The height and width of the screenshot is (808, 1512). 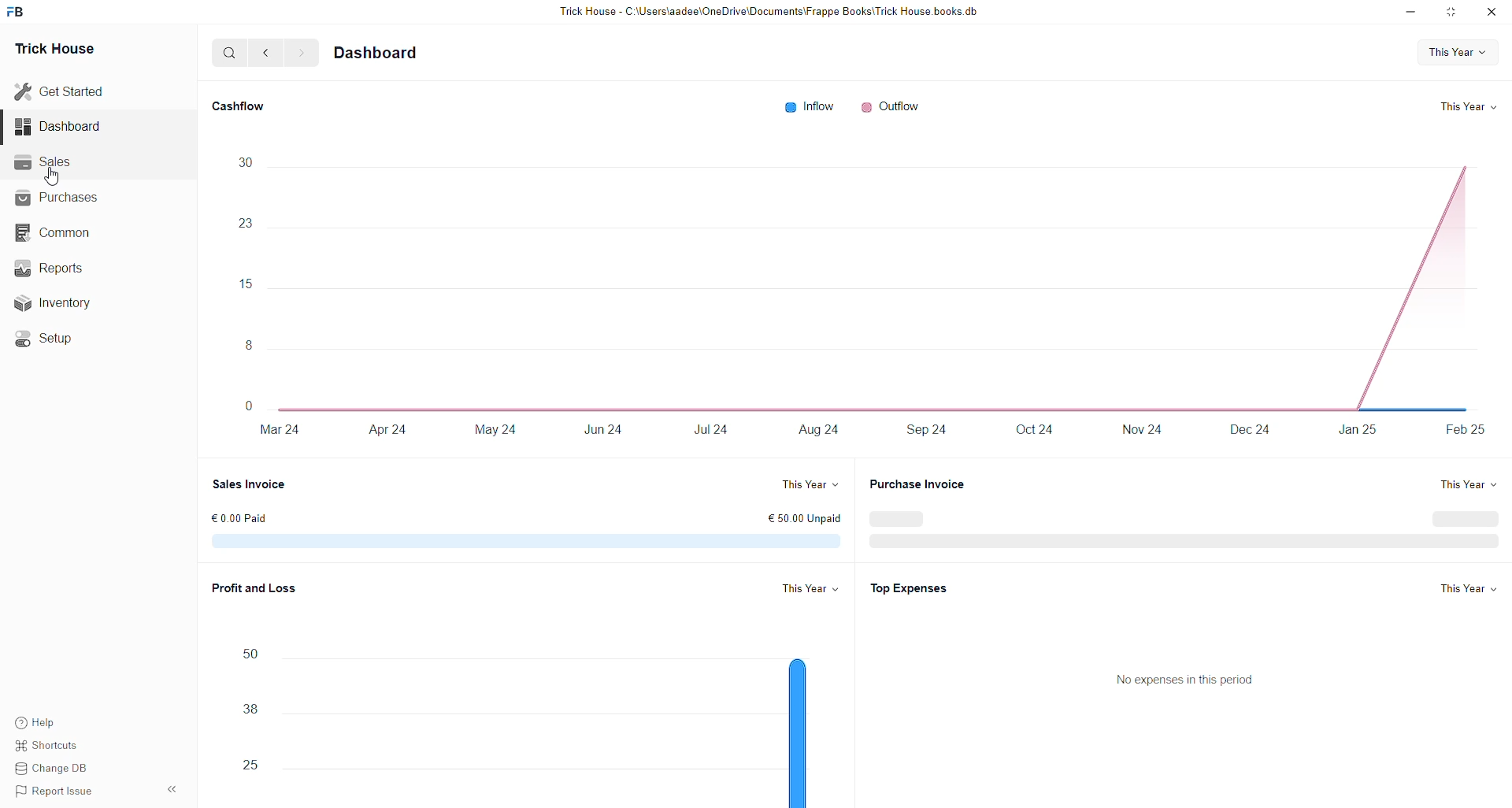 I want to click on logo, so click(x=17, y=12).